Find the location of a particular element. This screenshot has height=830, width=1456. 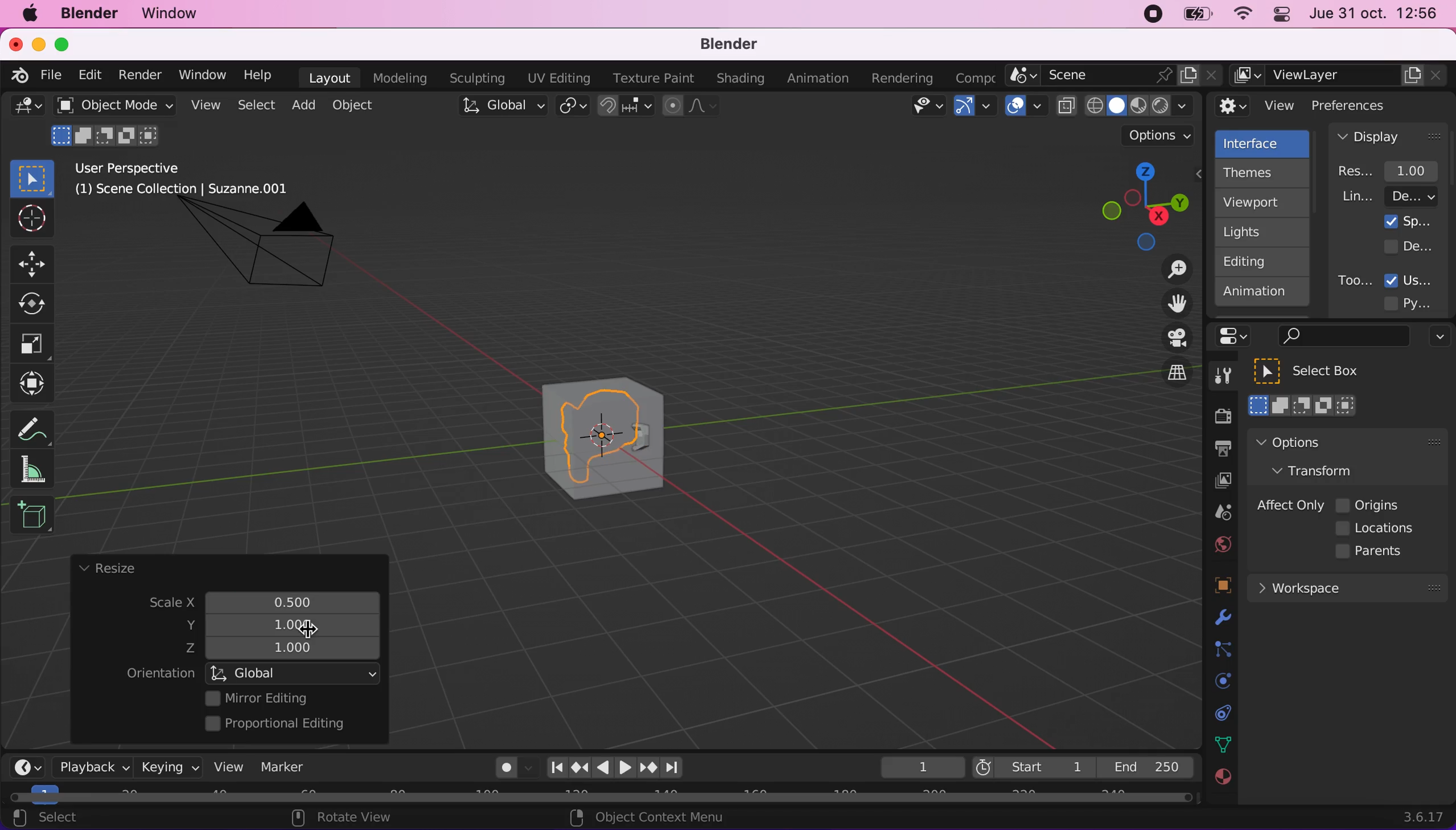

render is located at coordinates (139, 76).